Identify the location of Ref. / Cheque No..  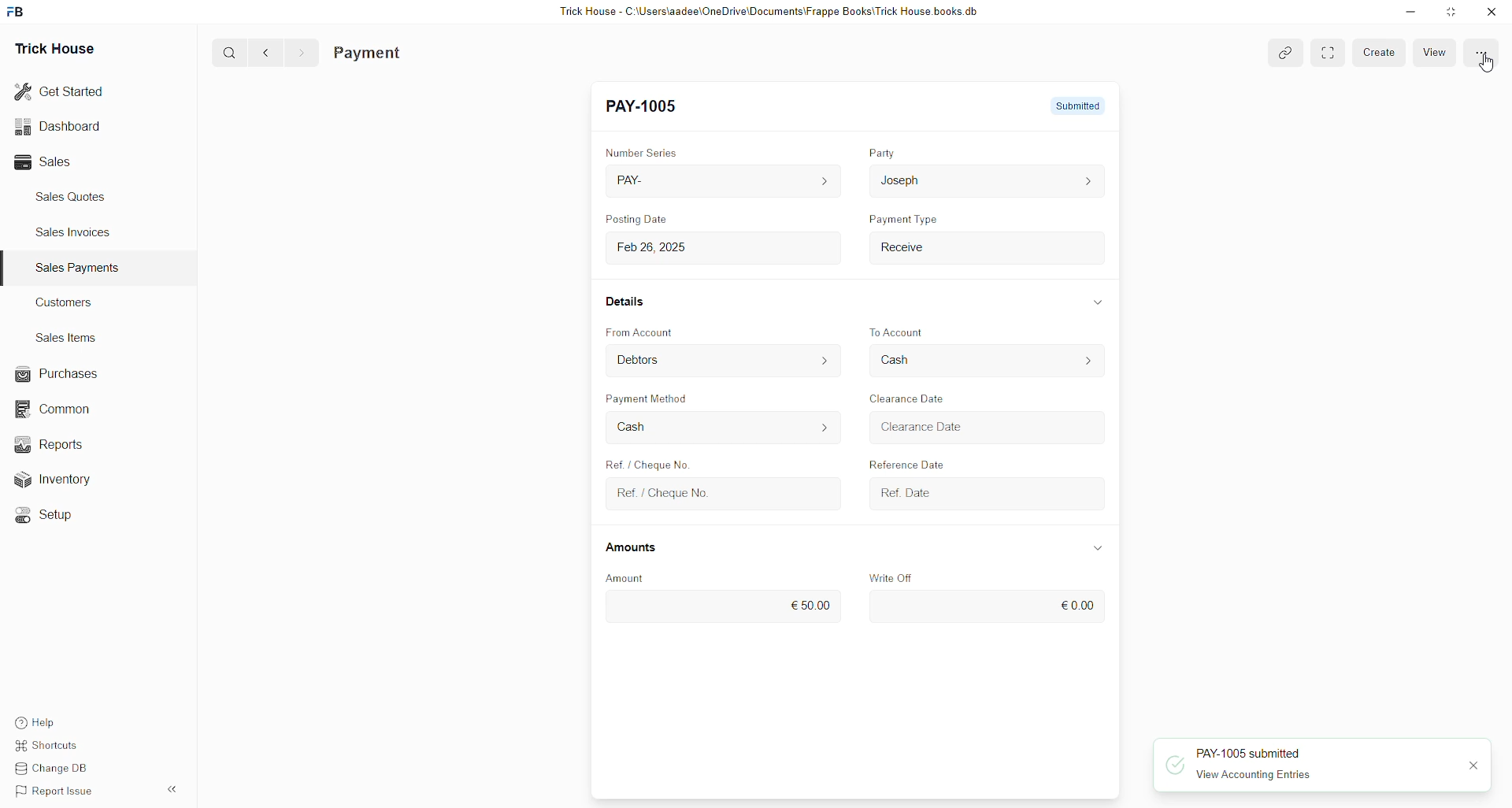
(646, 462).